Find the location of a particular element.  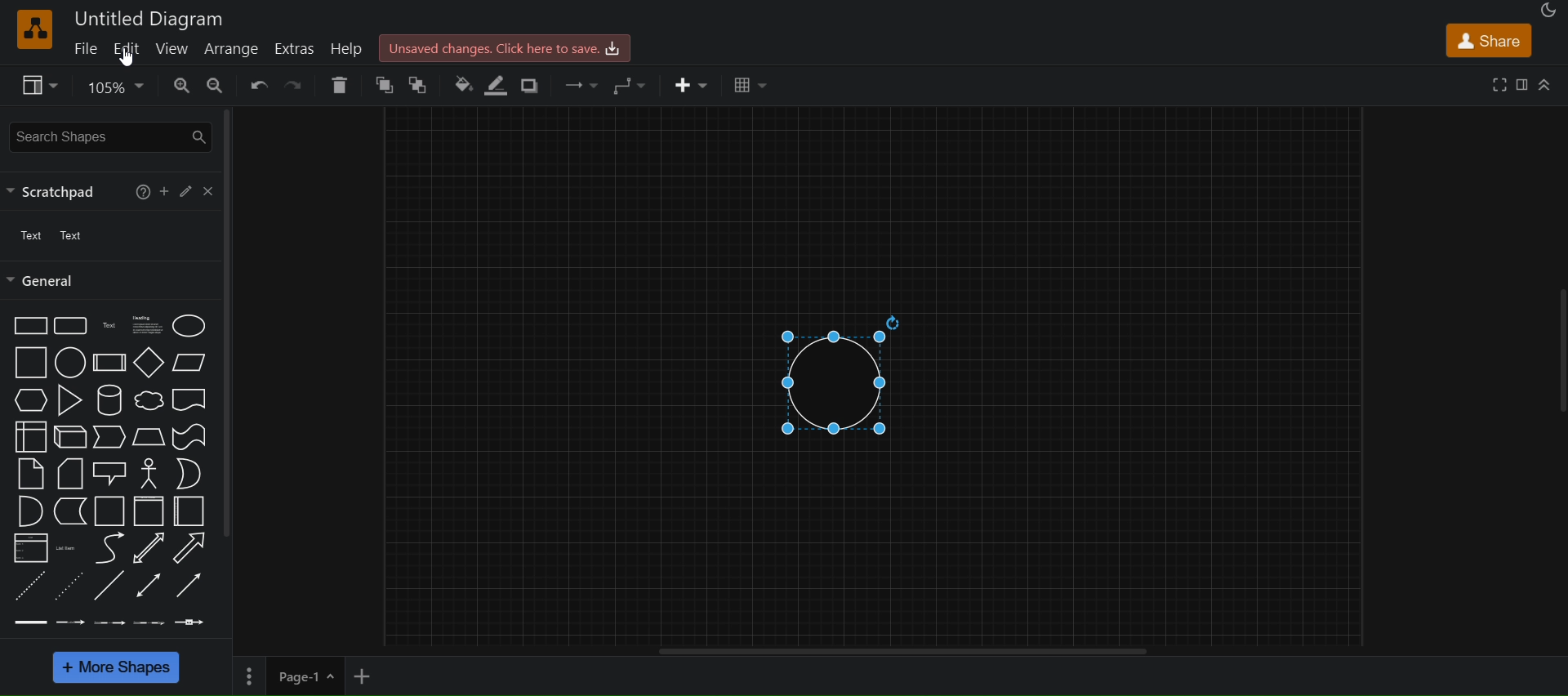

table is located at coordinates (751, 86).